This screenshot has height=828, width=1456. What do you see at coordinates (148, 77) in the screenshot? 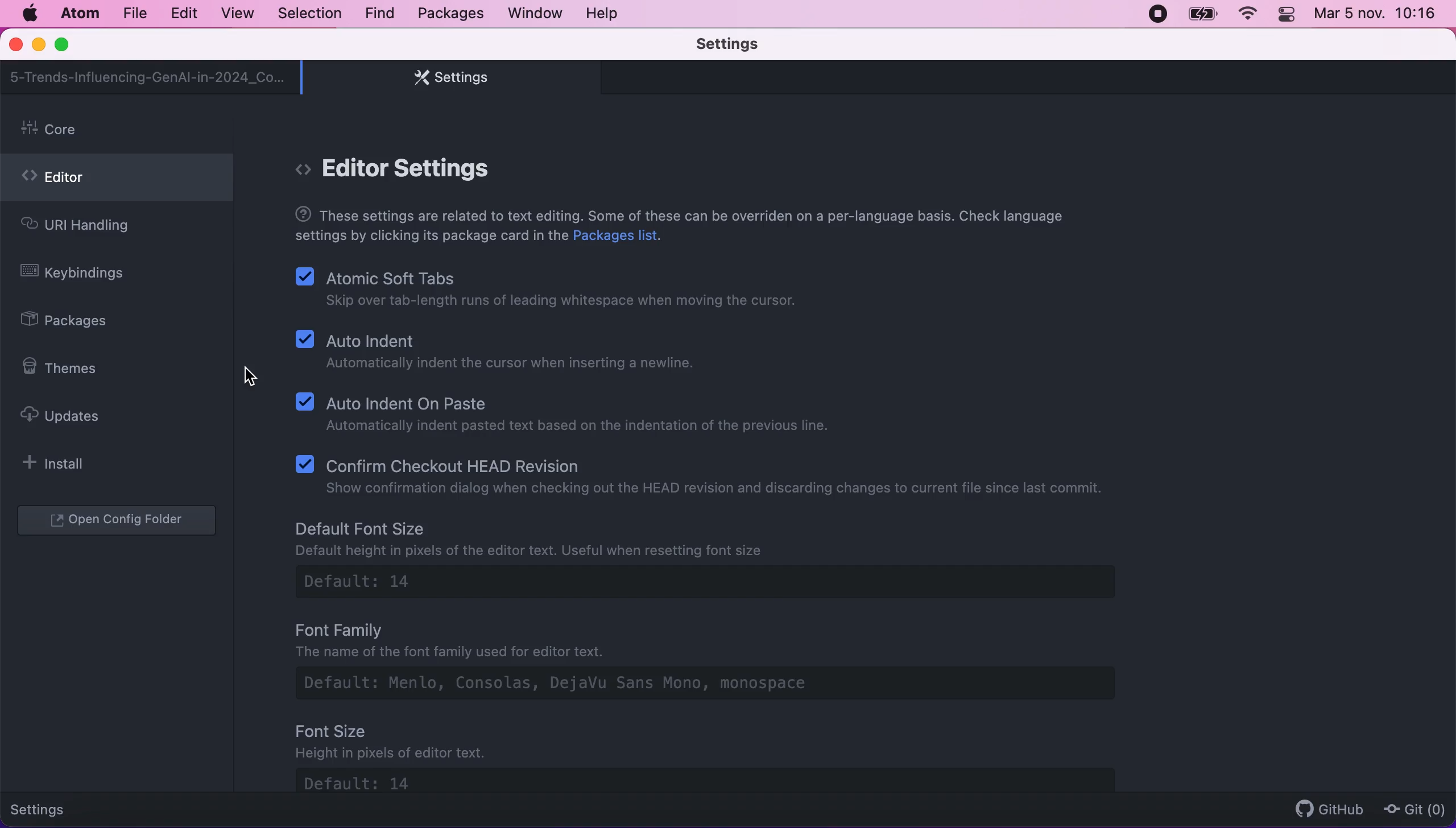
I see `tab` at bounding box center [148, 77].